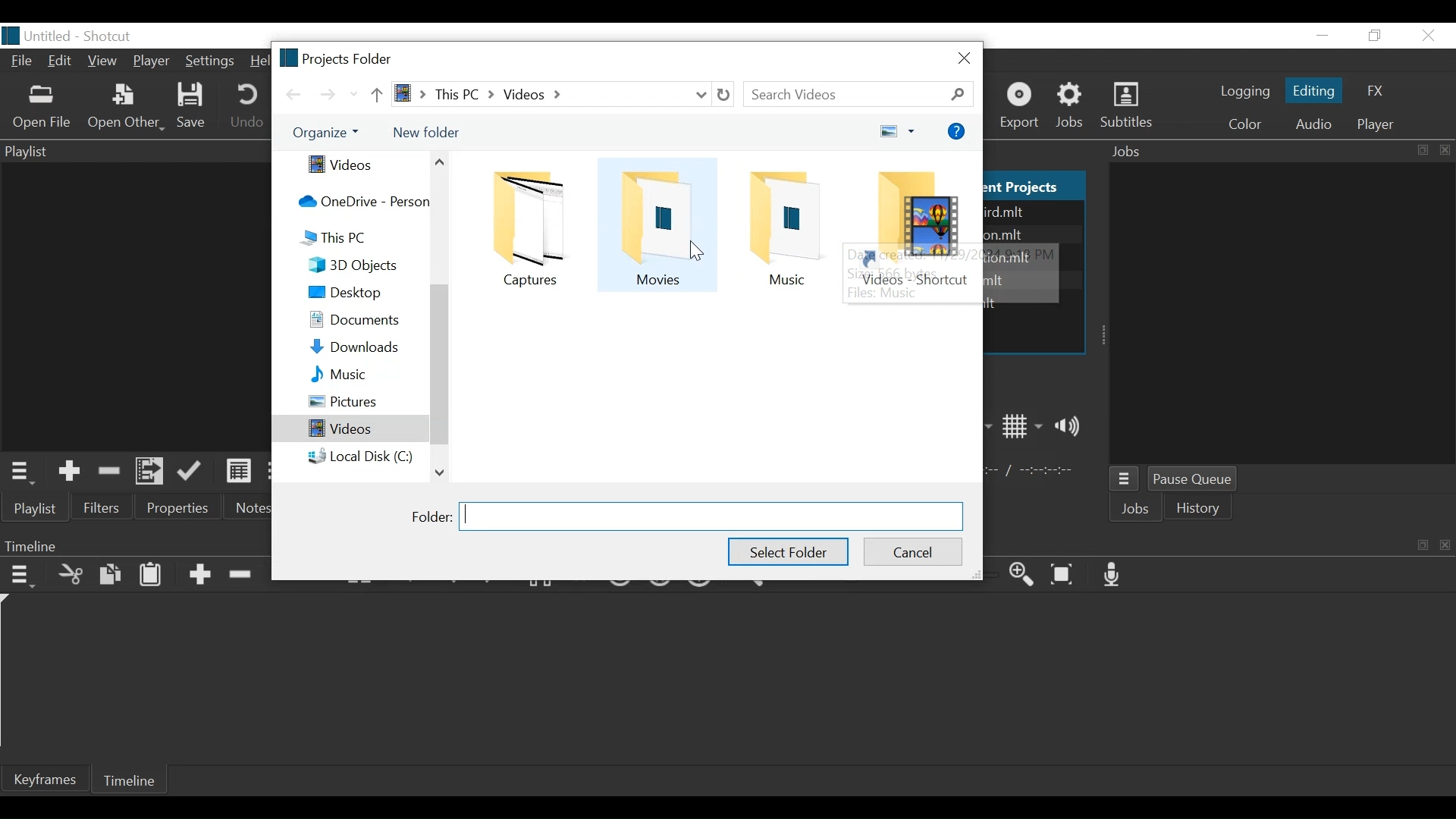  I want to click on Folder, so click(534, 229).